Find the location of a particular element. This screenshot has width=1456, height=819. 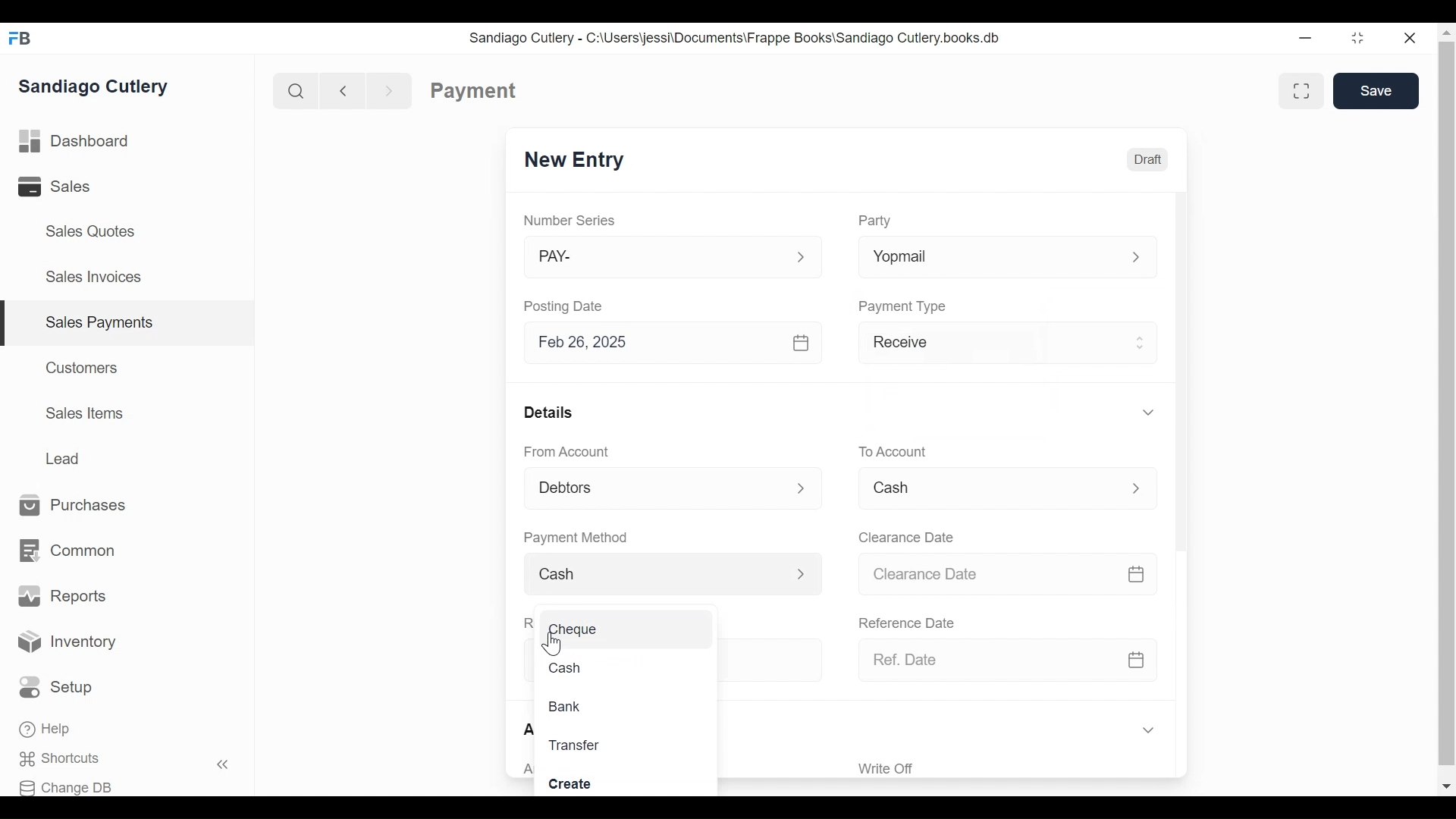

Vertical Scroll bar is located at coordinates (1184, 374).